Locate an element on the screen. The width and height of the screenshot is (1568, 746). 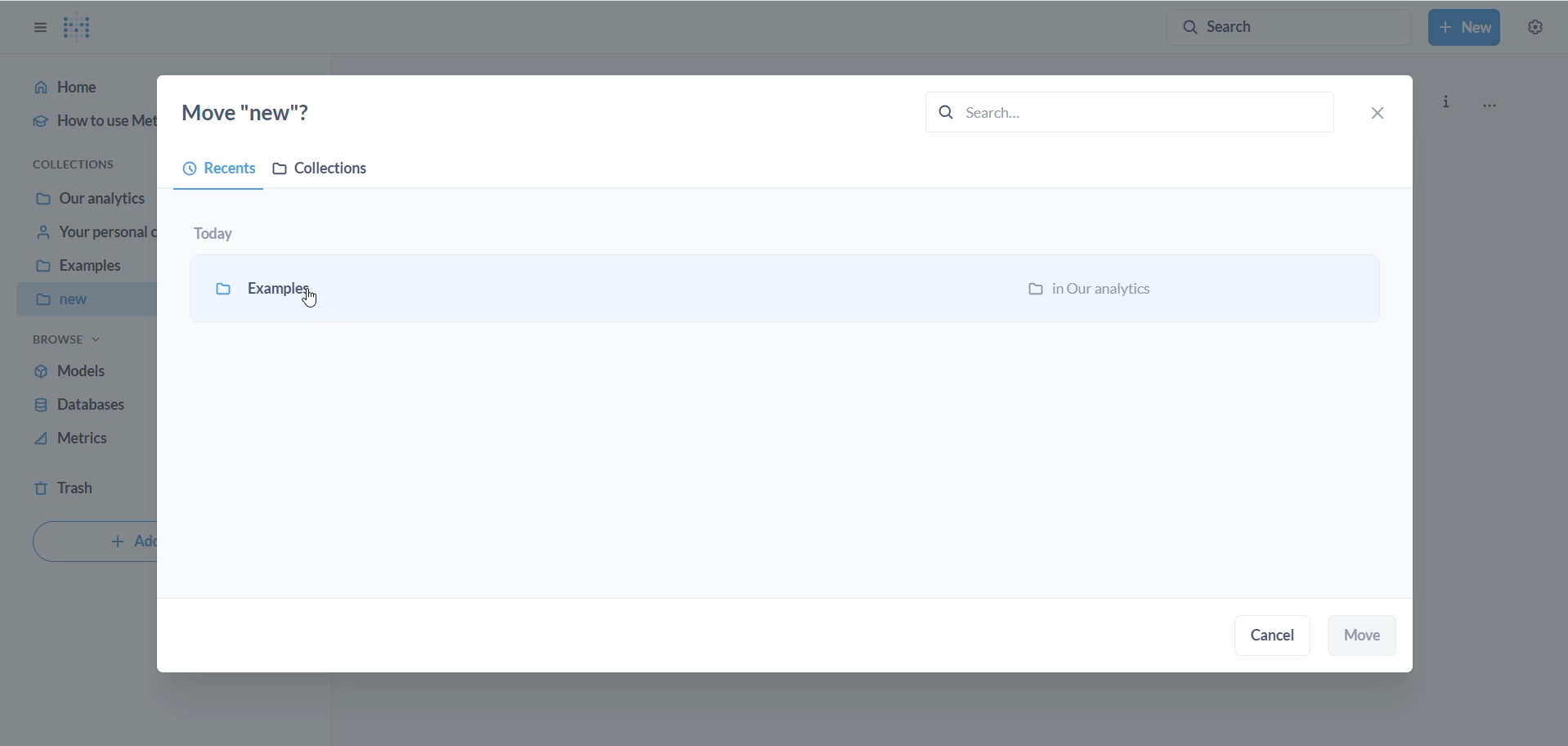
add database is located at coordinates (92, 544).